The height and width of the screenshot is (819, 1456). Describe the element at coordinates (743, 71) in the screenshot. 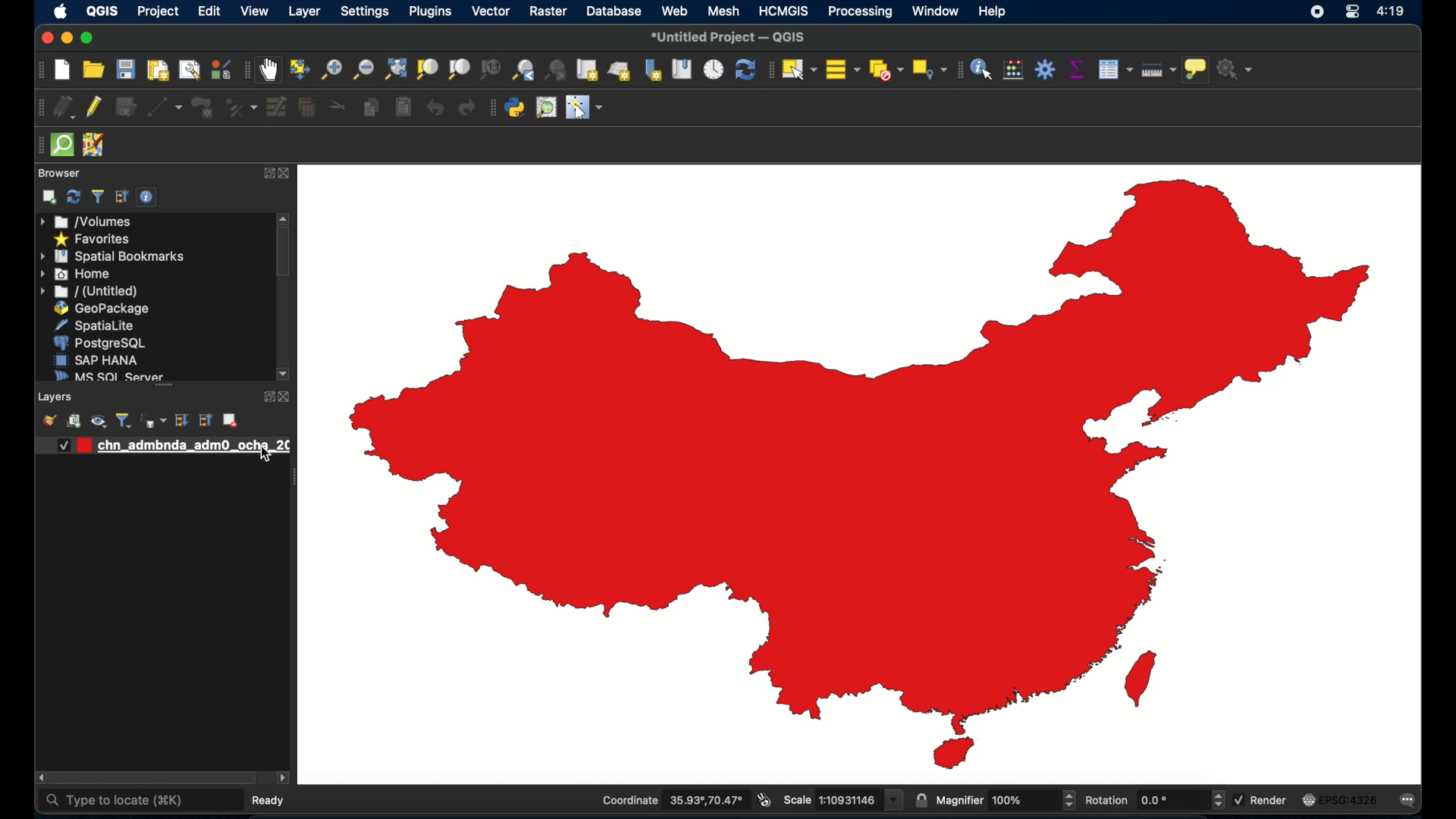

I see `refresh` at that location.